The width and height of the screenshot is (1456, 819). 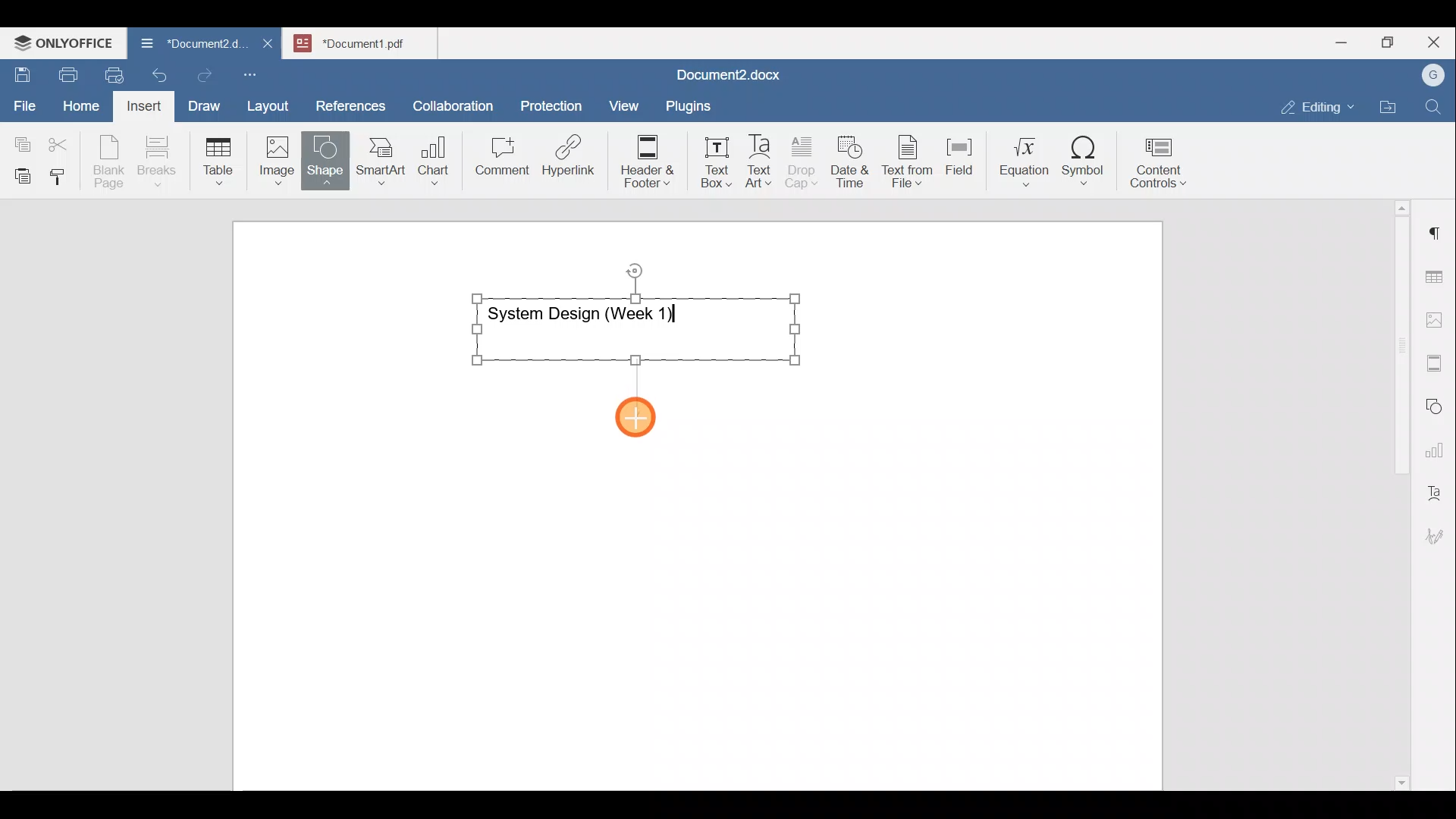 What do you see at coordinates (556, 104) in the screenshot?
I see `Protection` at bounding box center [556, 104].